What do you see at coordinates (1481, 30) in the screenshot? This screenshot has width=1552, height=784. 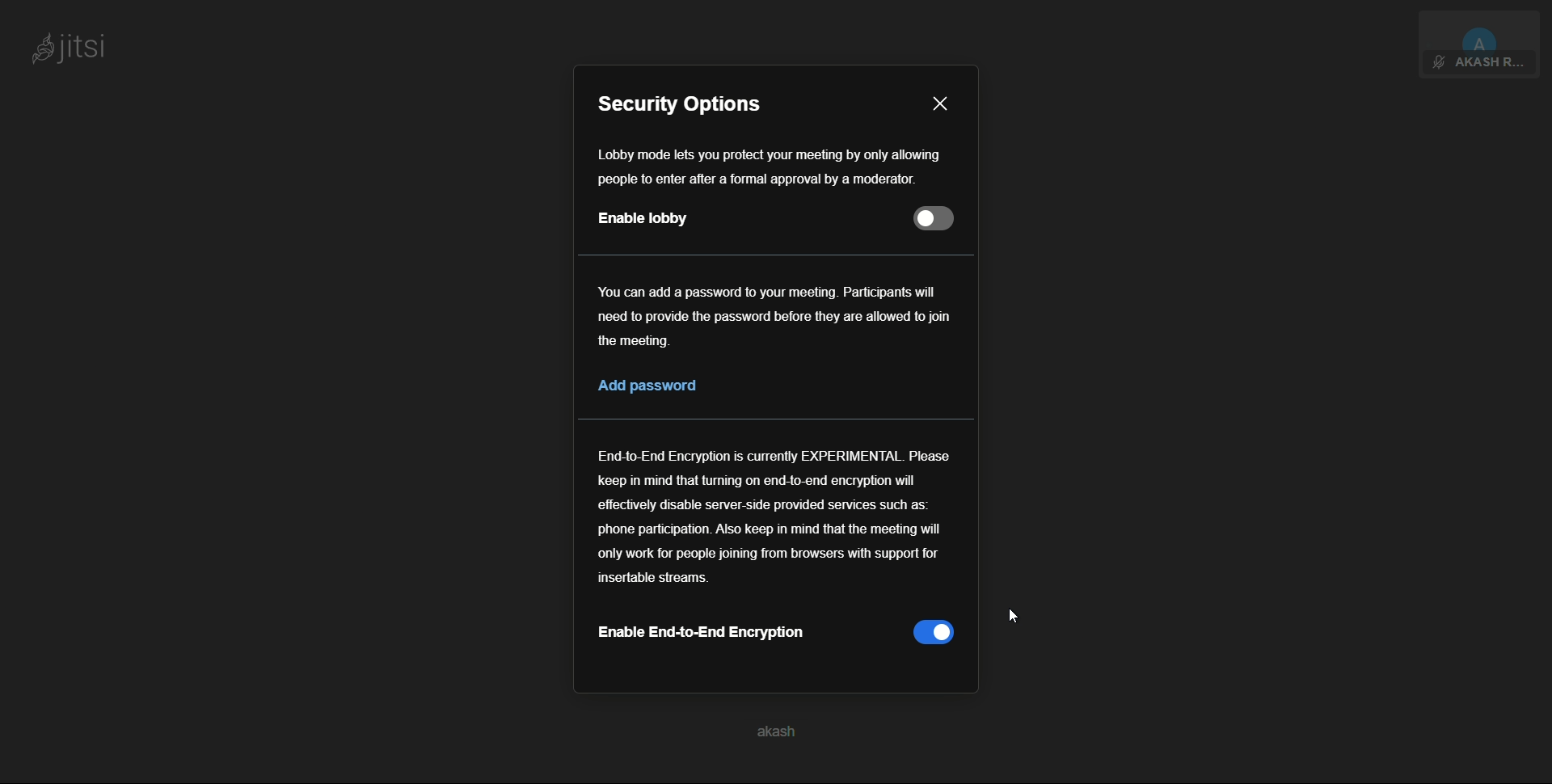 I see `participant` at bounding box center [1481, 30].